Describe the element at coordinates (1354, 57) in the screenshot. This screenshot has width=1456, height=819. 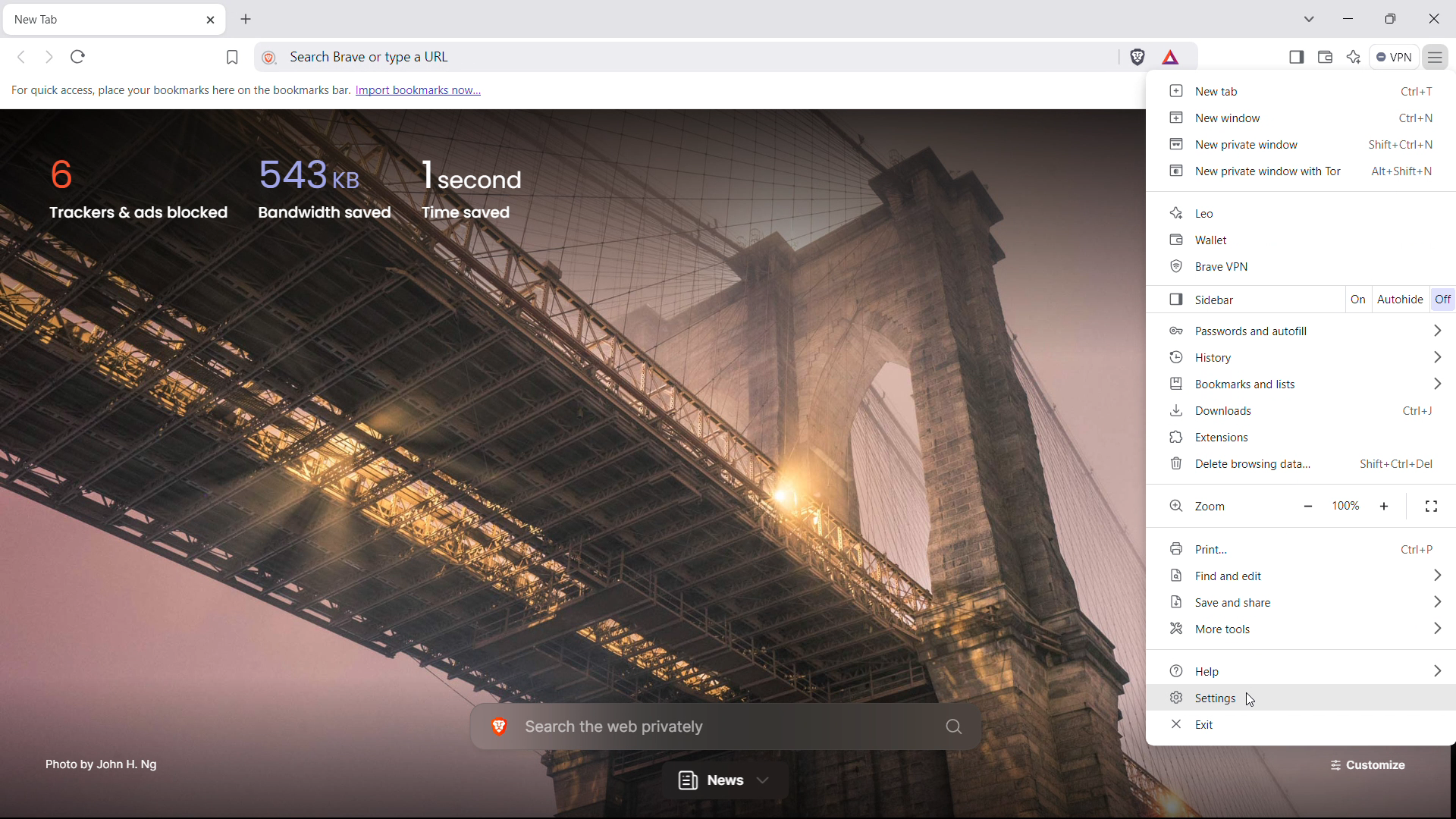
I see `leo AI` at that location.